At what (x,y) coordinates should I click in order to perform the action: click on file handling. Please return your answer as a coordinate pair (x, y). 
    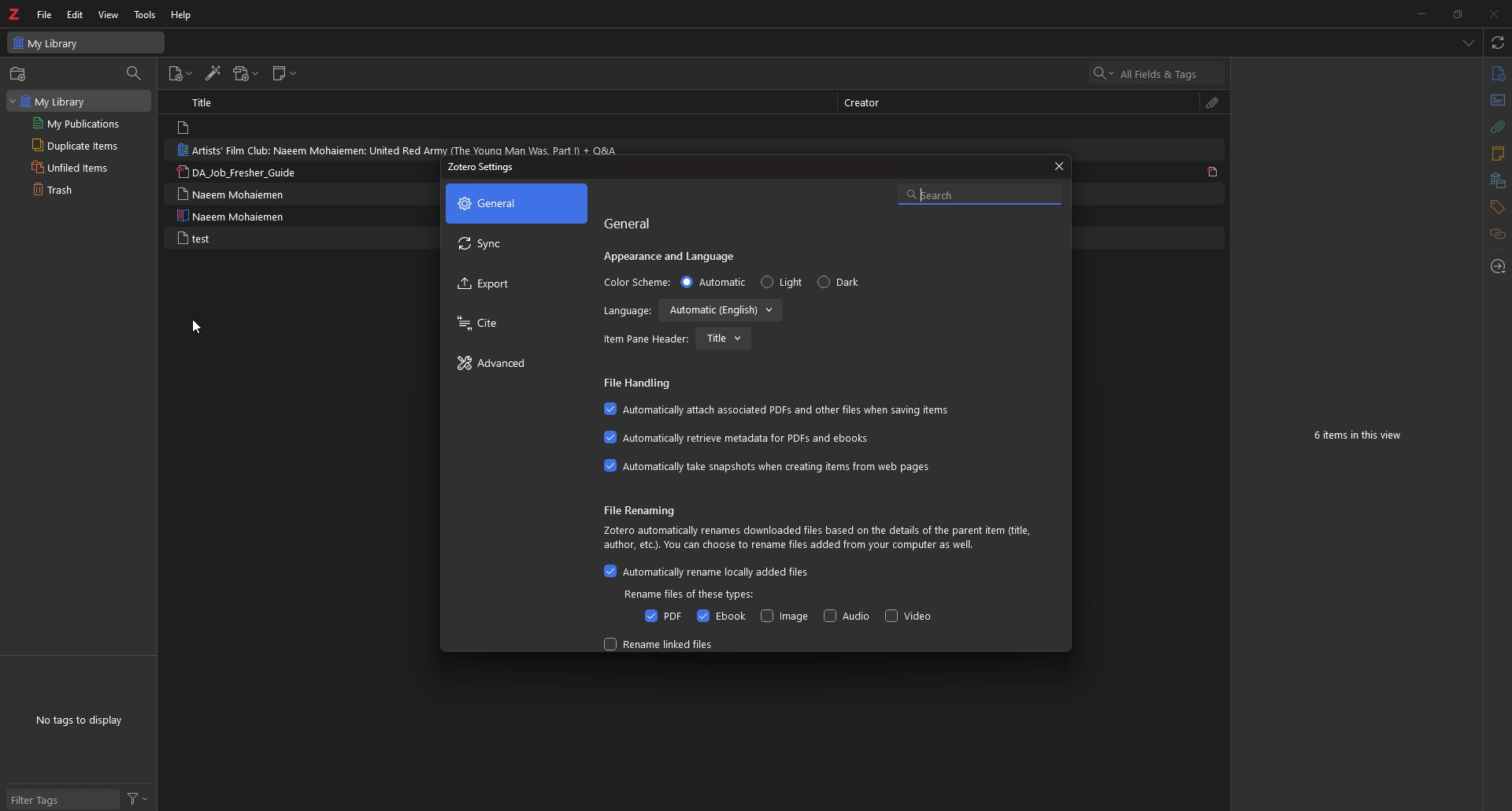
    Looking at the image, I should click on (640, 383).